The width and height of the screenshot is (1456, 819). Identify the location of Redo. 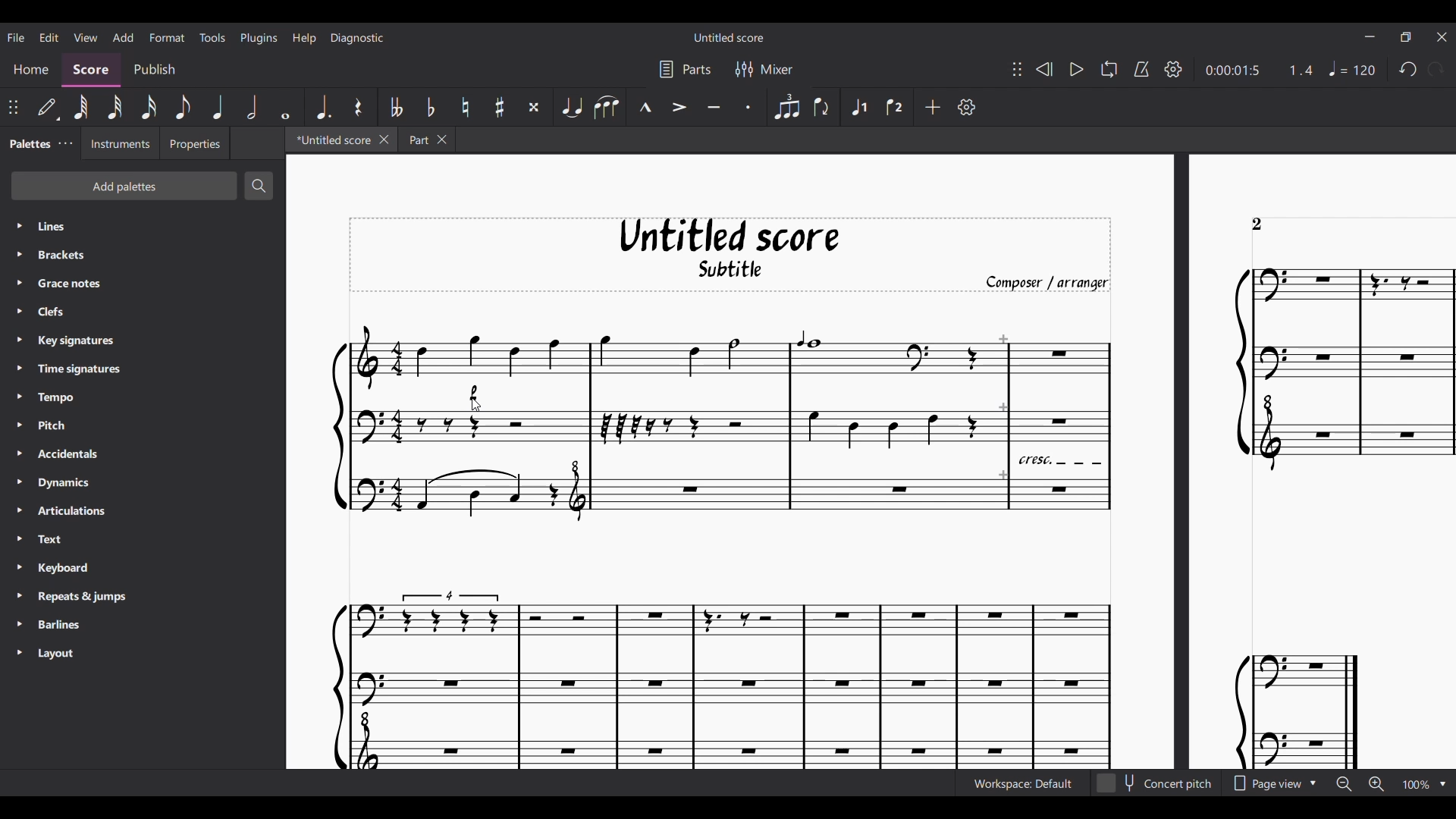
(1436, 69).